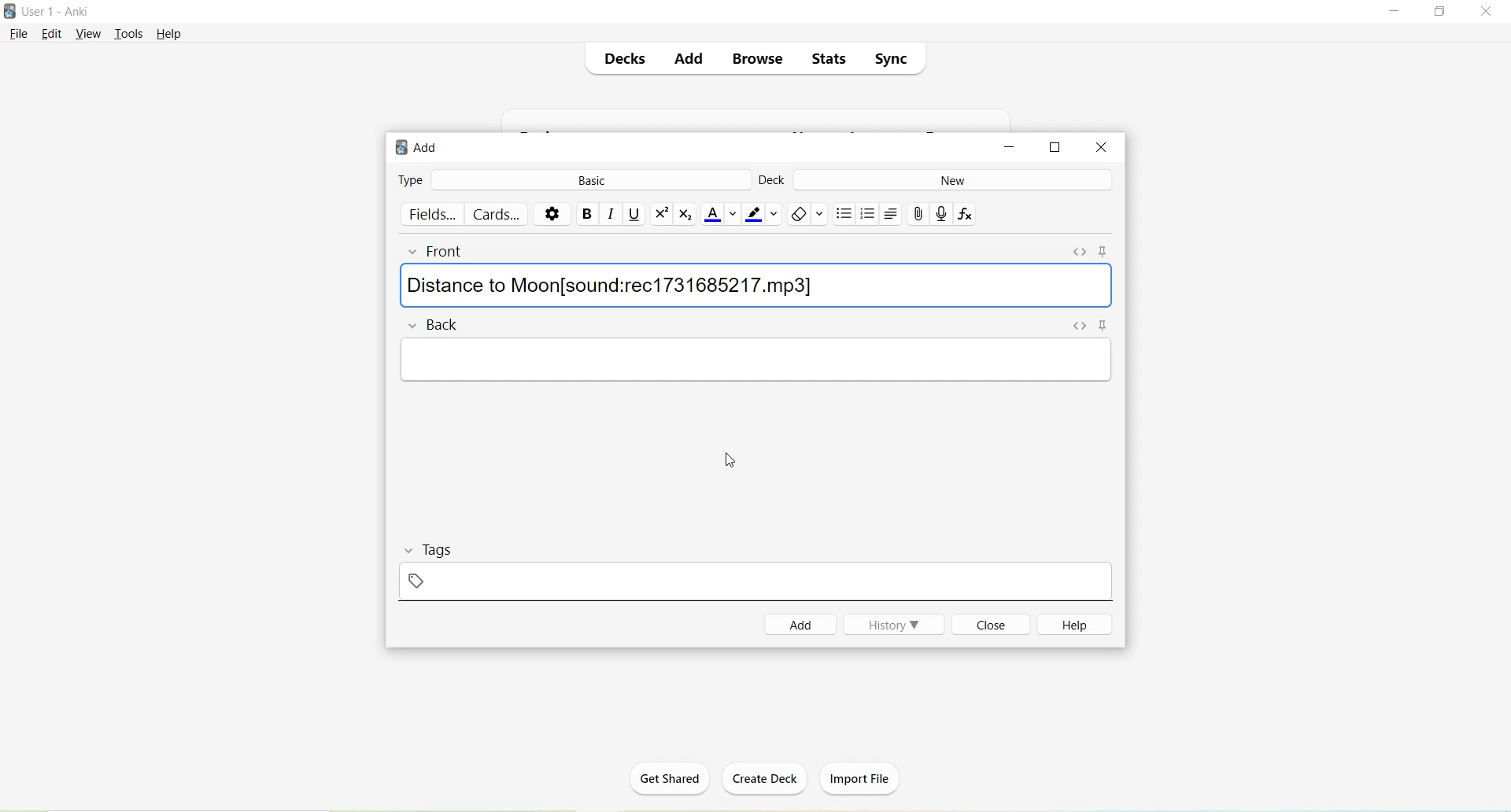 The width and height of the screenshot is (1511, 812). Describe the element at coordinates (988, 624) in the screenshot. I see `Close` at that location.